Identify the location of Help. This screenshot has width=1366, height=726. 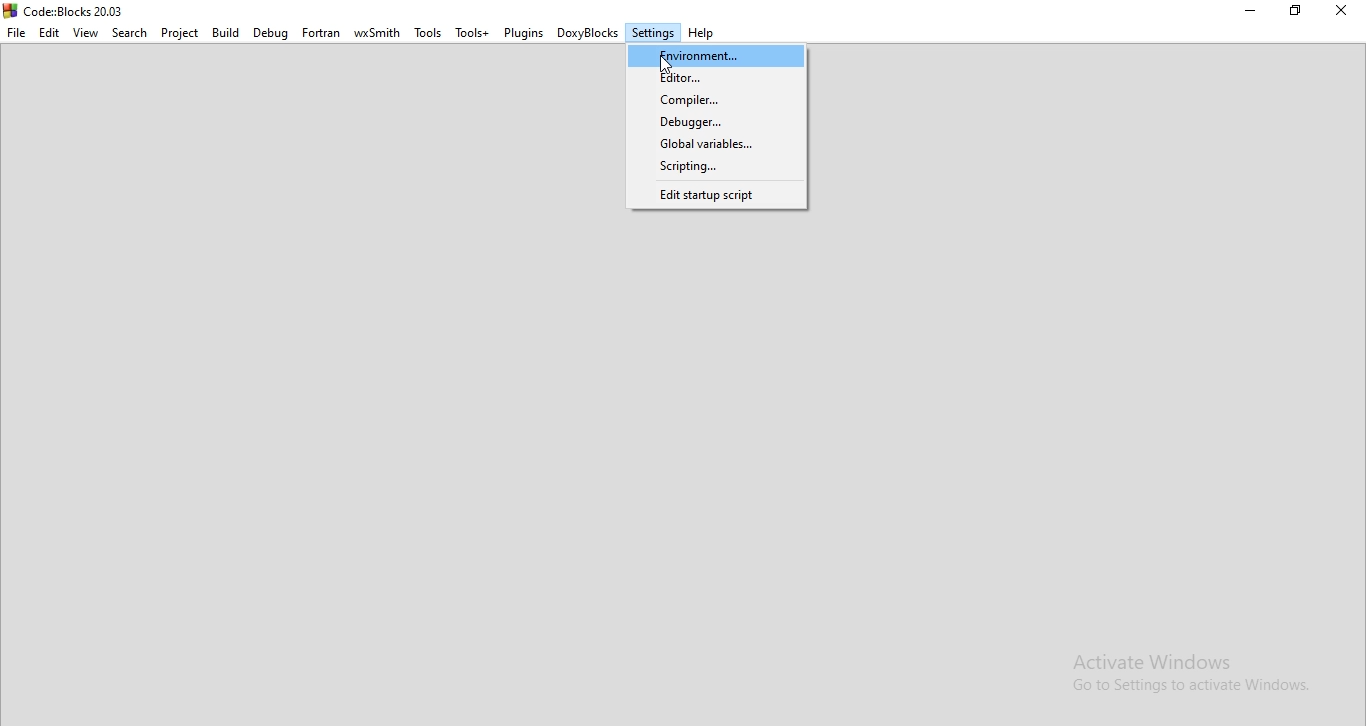
(703, 35).